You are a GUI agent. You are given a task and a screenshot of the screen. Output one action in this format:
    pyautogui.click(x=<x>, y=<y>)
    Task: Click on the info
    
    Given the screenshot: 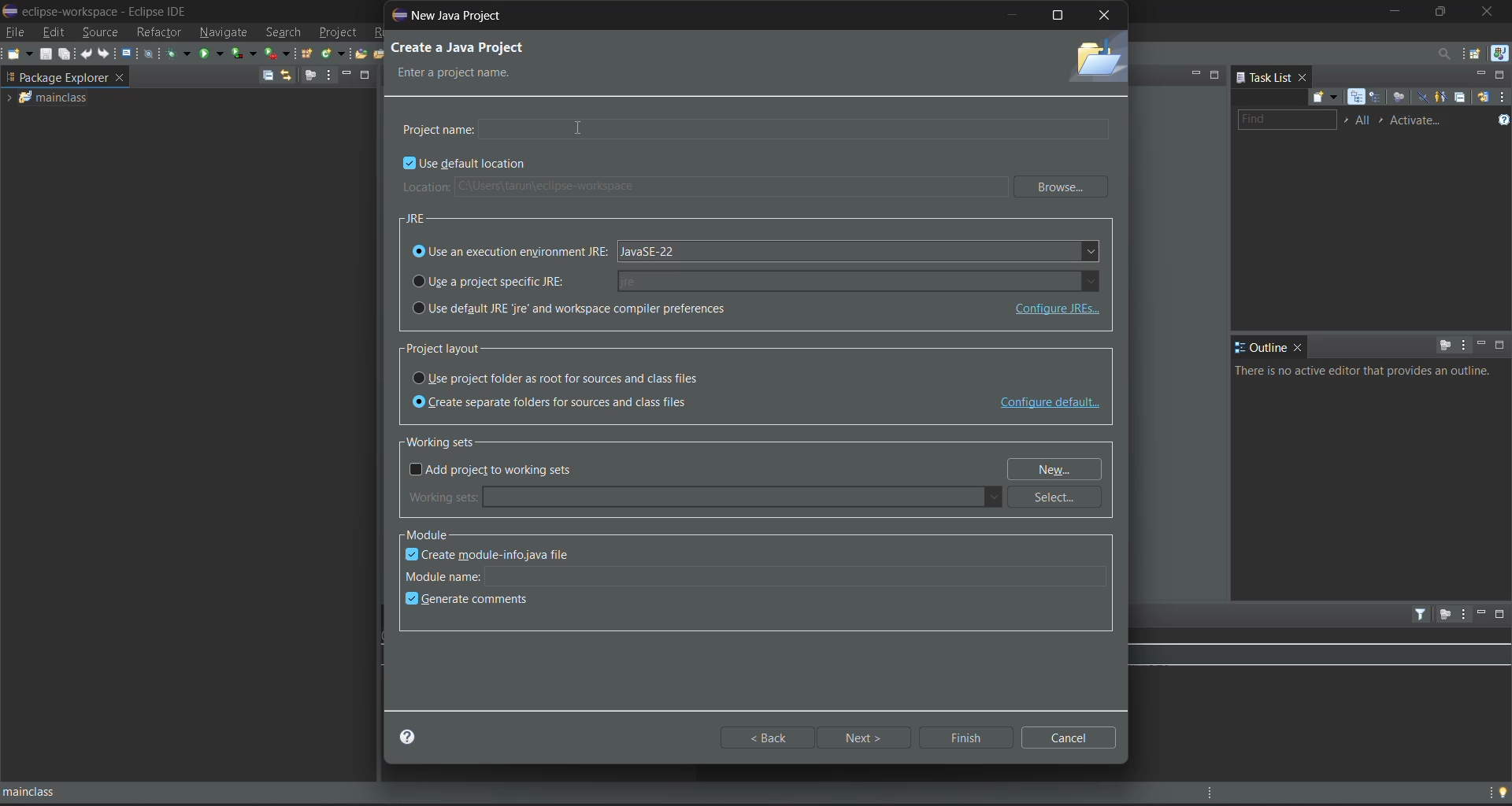 What is the action you would take?
    pyautogui.click(x=1367, y=371)
    